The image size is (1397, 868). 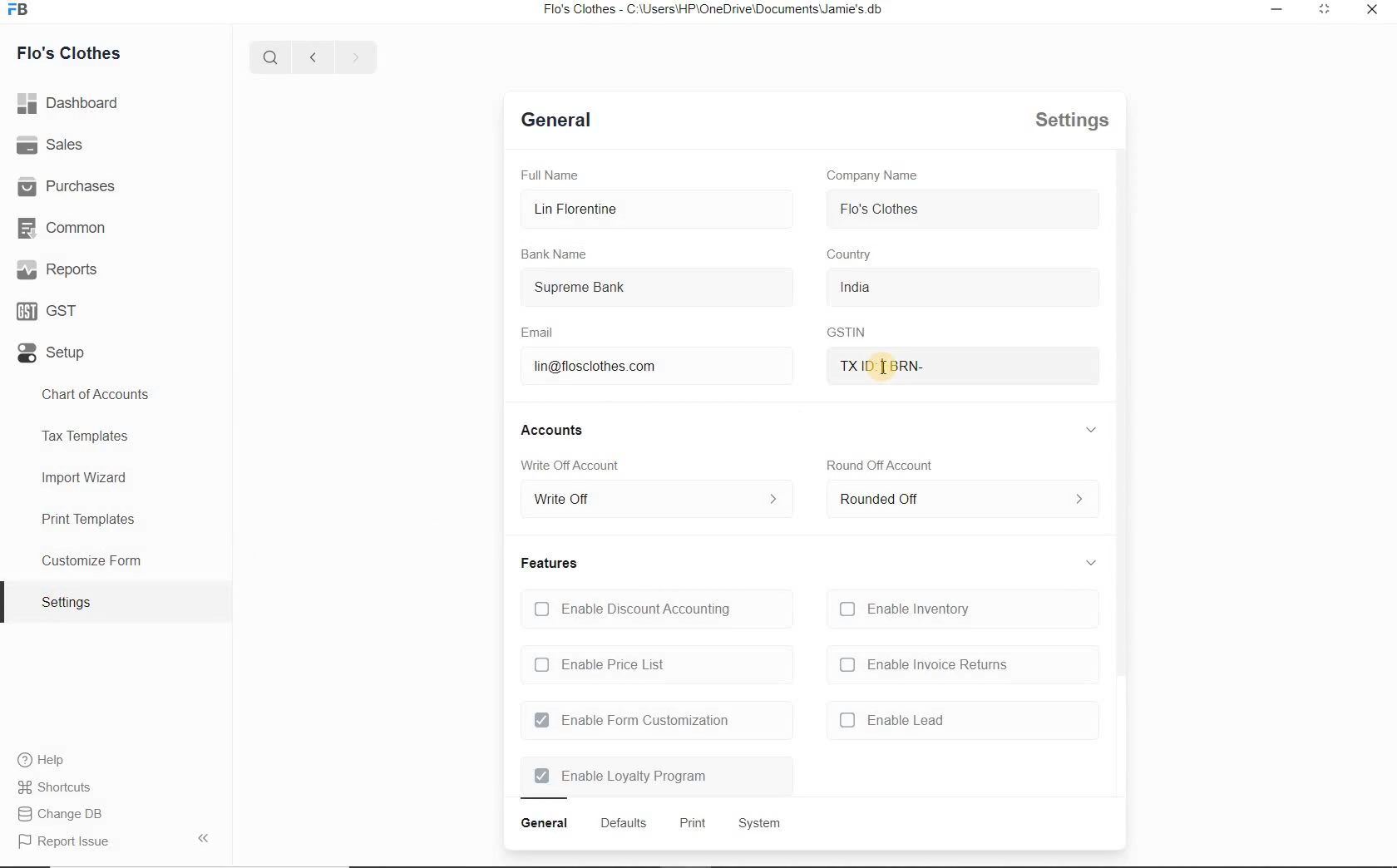 I want to click on close window, so click(x=1370, y=10).